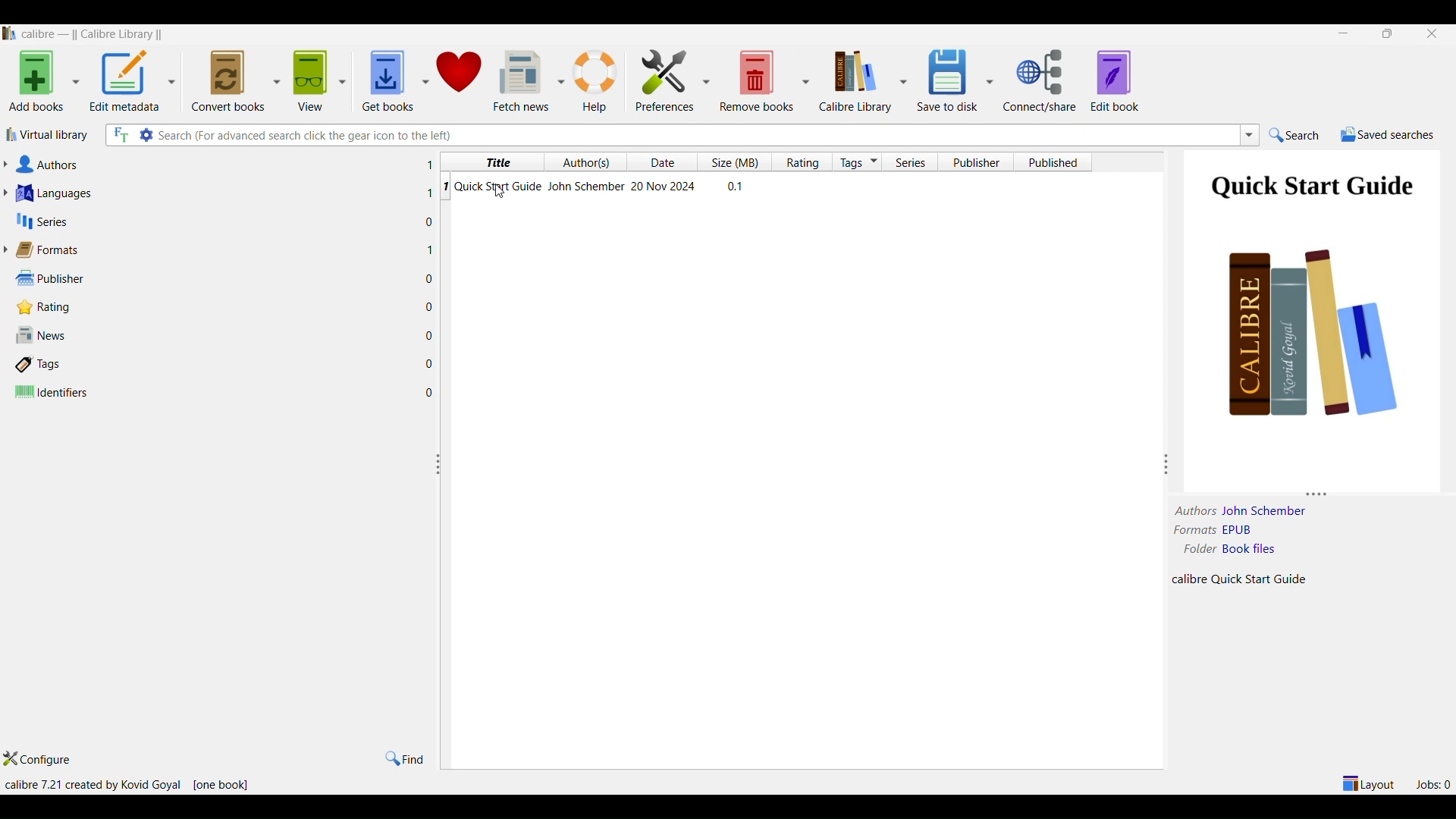 This screenshot has width=1456, height=819. I want to click on convert books, so click(224, 80).